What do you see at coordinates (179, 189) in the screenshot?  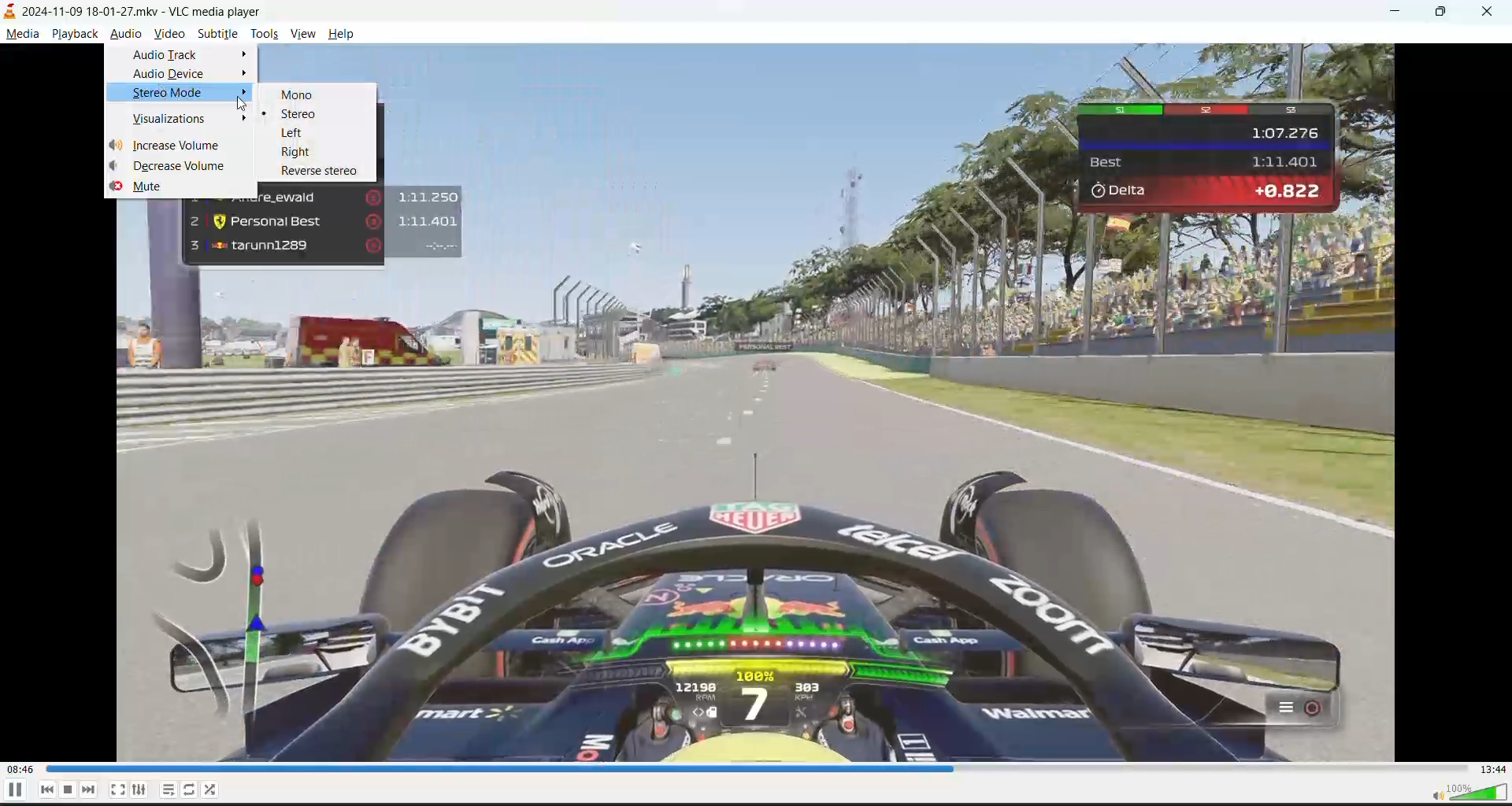 I see `mute` at bounding box center [179, 189].